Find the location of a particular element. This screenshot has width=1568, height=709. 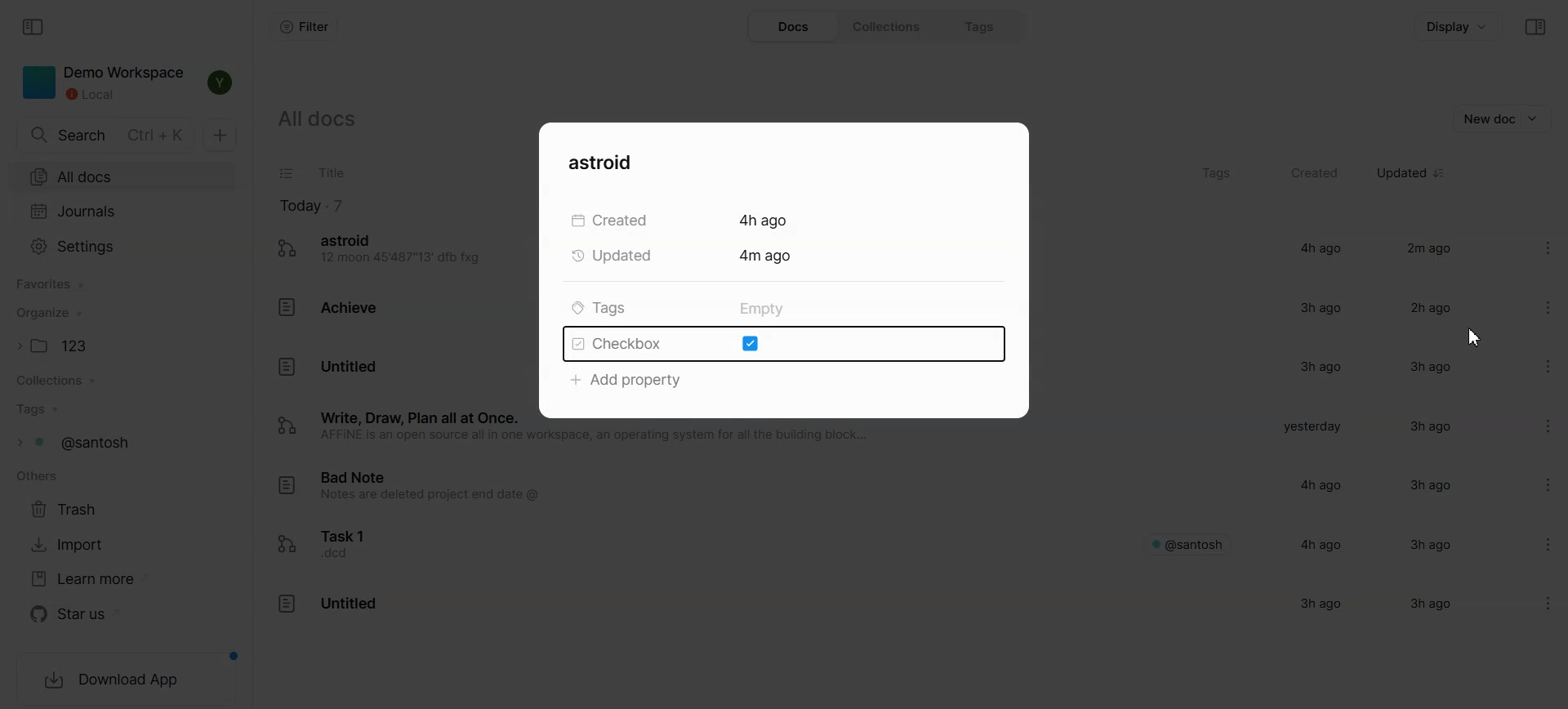

Star us is located at coordinates (81, 614).